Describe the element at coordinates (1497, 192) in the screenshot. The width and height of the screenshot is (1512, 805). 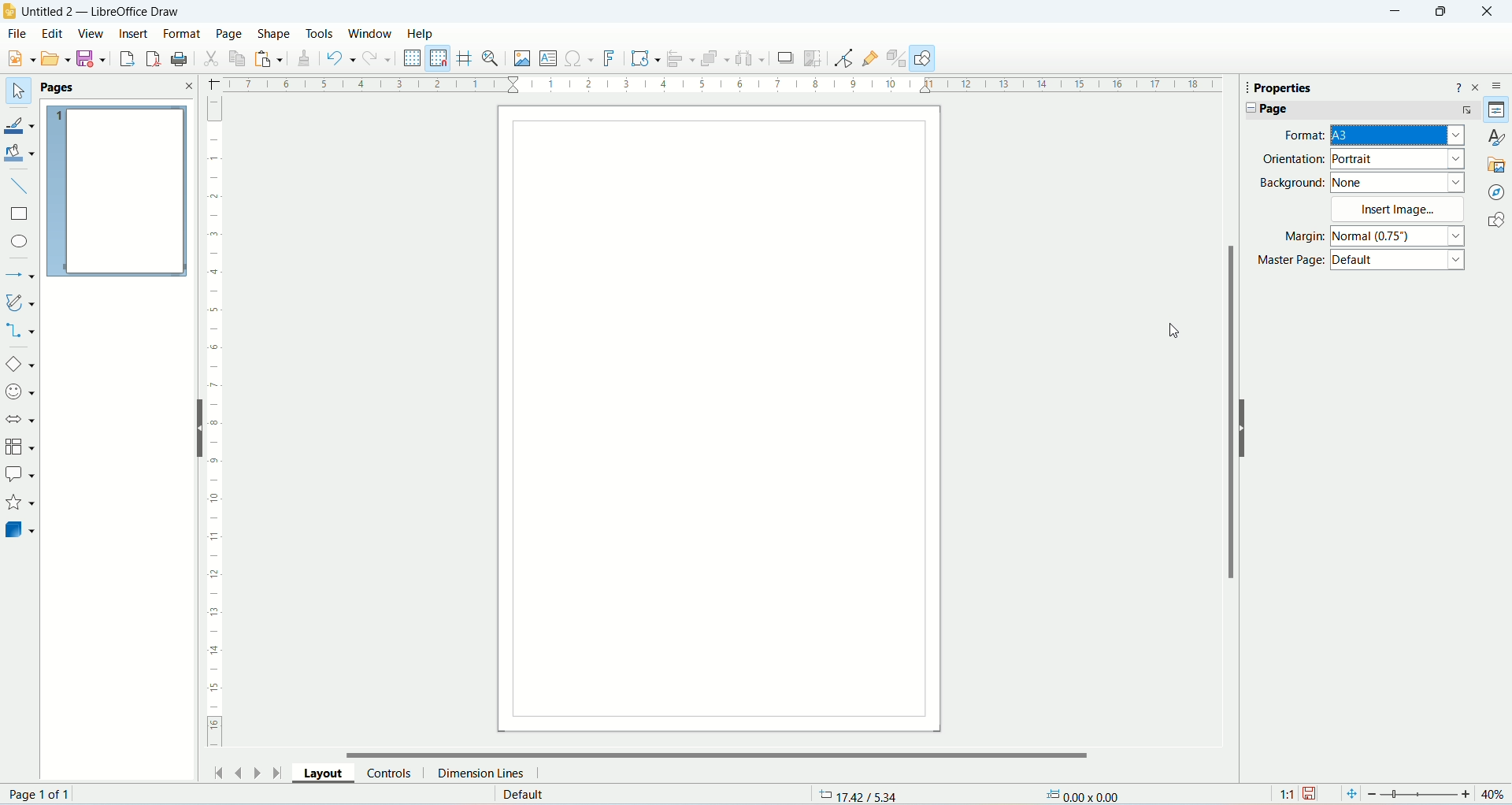
I see `navigator` at that location.